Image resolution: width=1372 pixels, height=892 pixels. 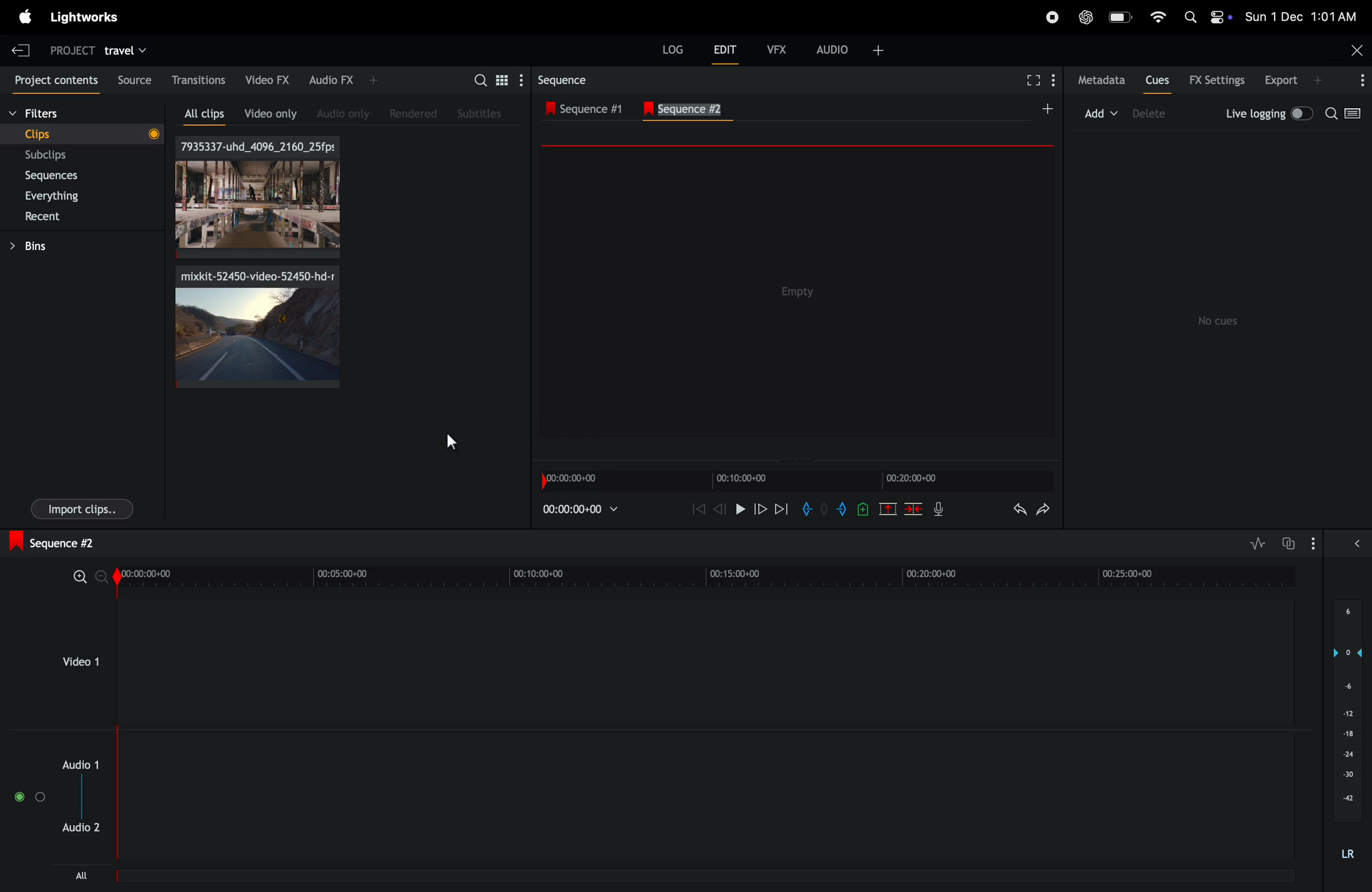 I want to click on zoom in zoom out, so click(x=89, y=575).